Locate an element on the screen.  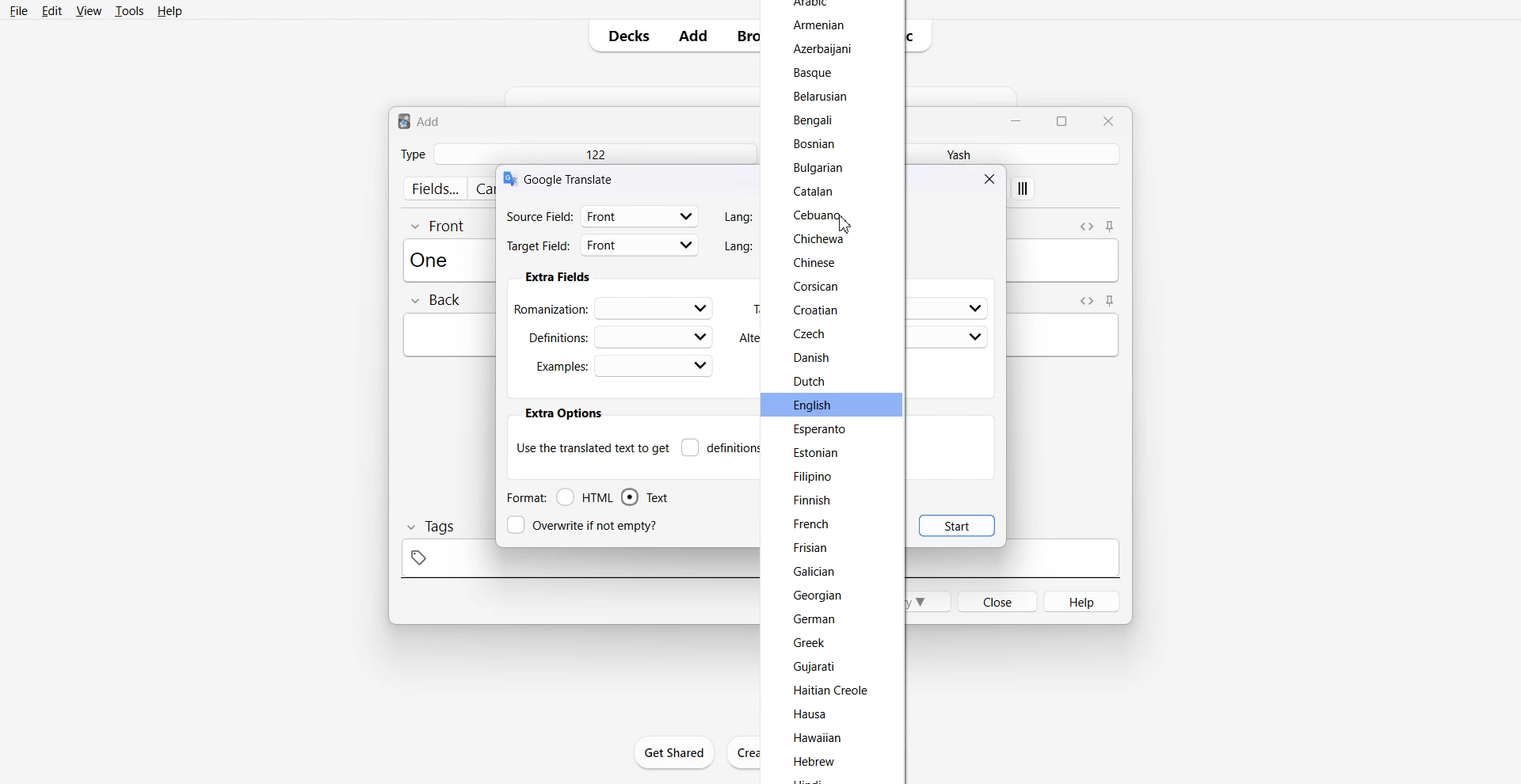
Hausa is located at coordinates (816, 714).